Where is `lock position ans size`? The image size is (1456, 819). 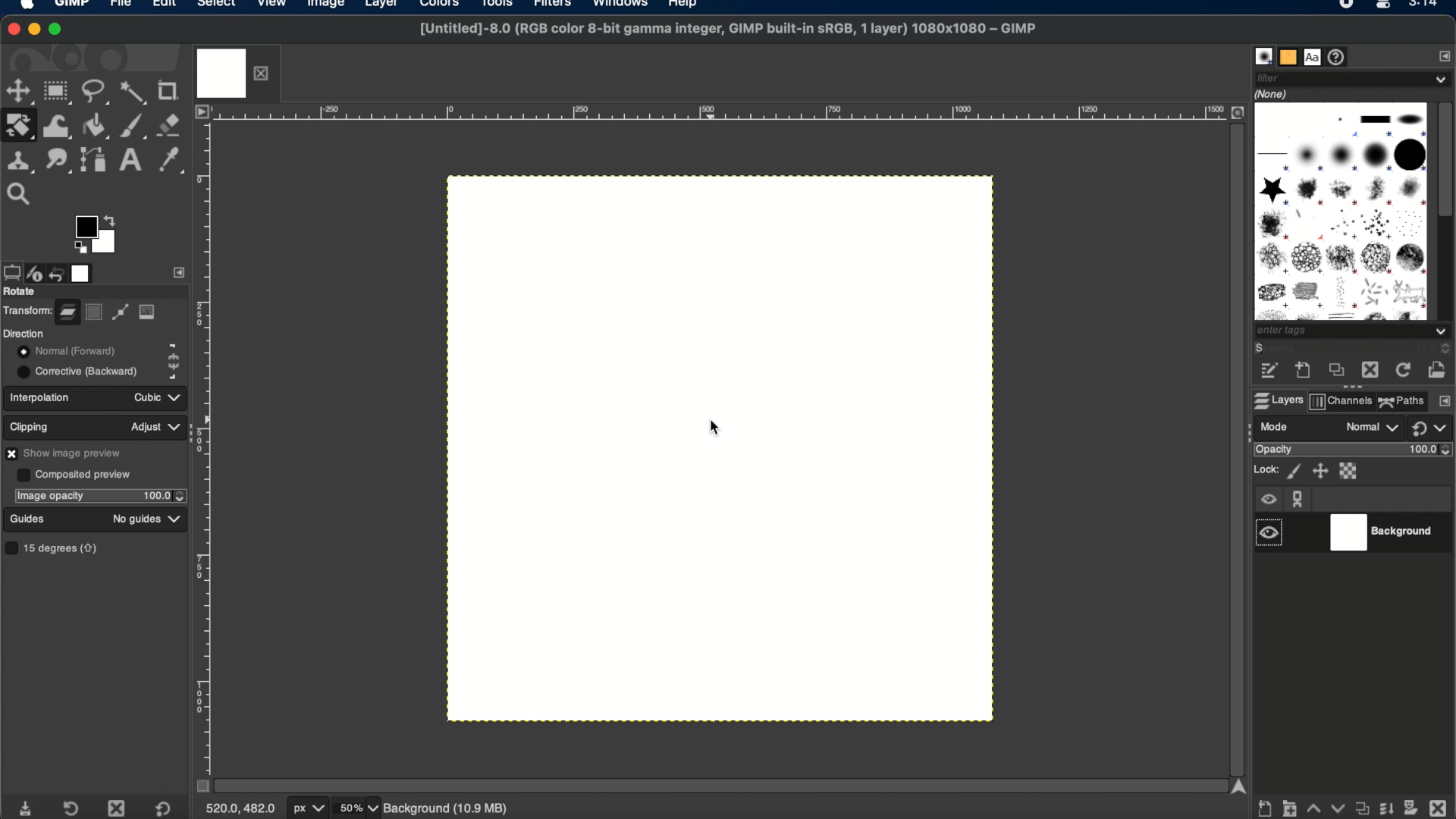 lock position ans size is located at coordinates (1319, 471).